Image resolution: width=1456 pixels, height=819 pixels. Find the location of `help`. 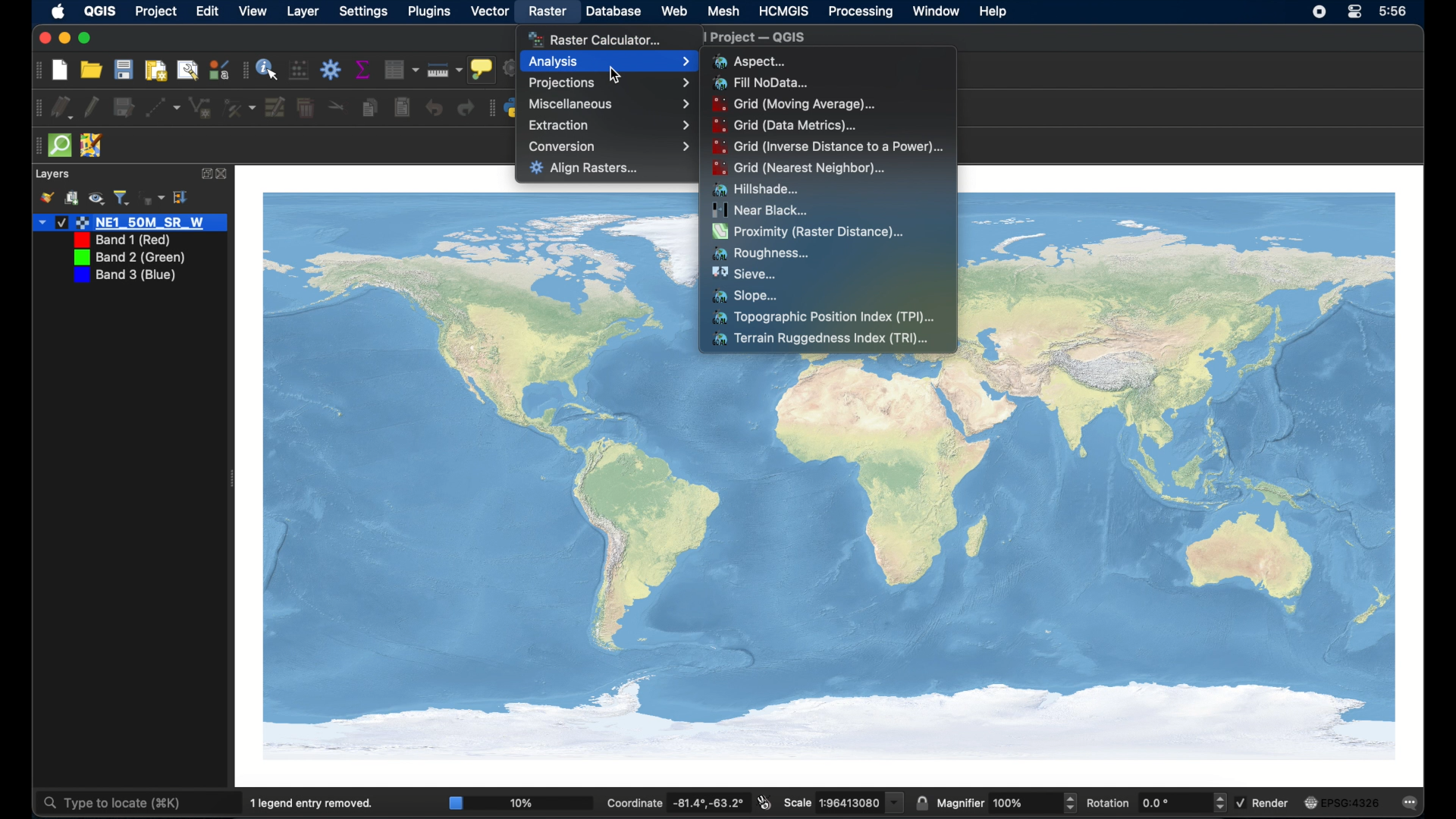

help is located at coordinates (994, 12).